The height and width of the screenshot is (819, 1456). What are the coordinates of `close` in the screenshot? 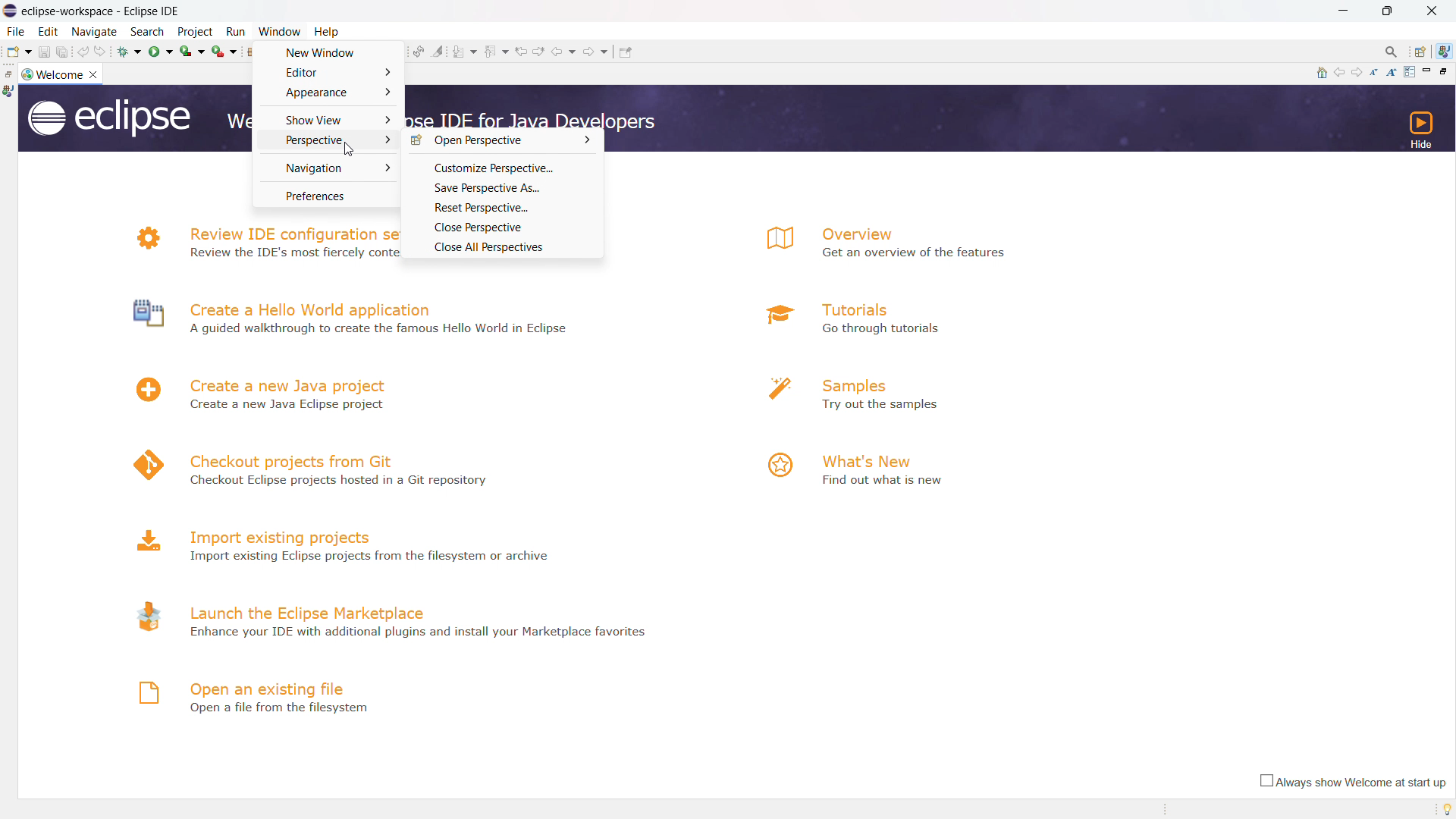 It's located at (96, 74).